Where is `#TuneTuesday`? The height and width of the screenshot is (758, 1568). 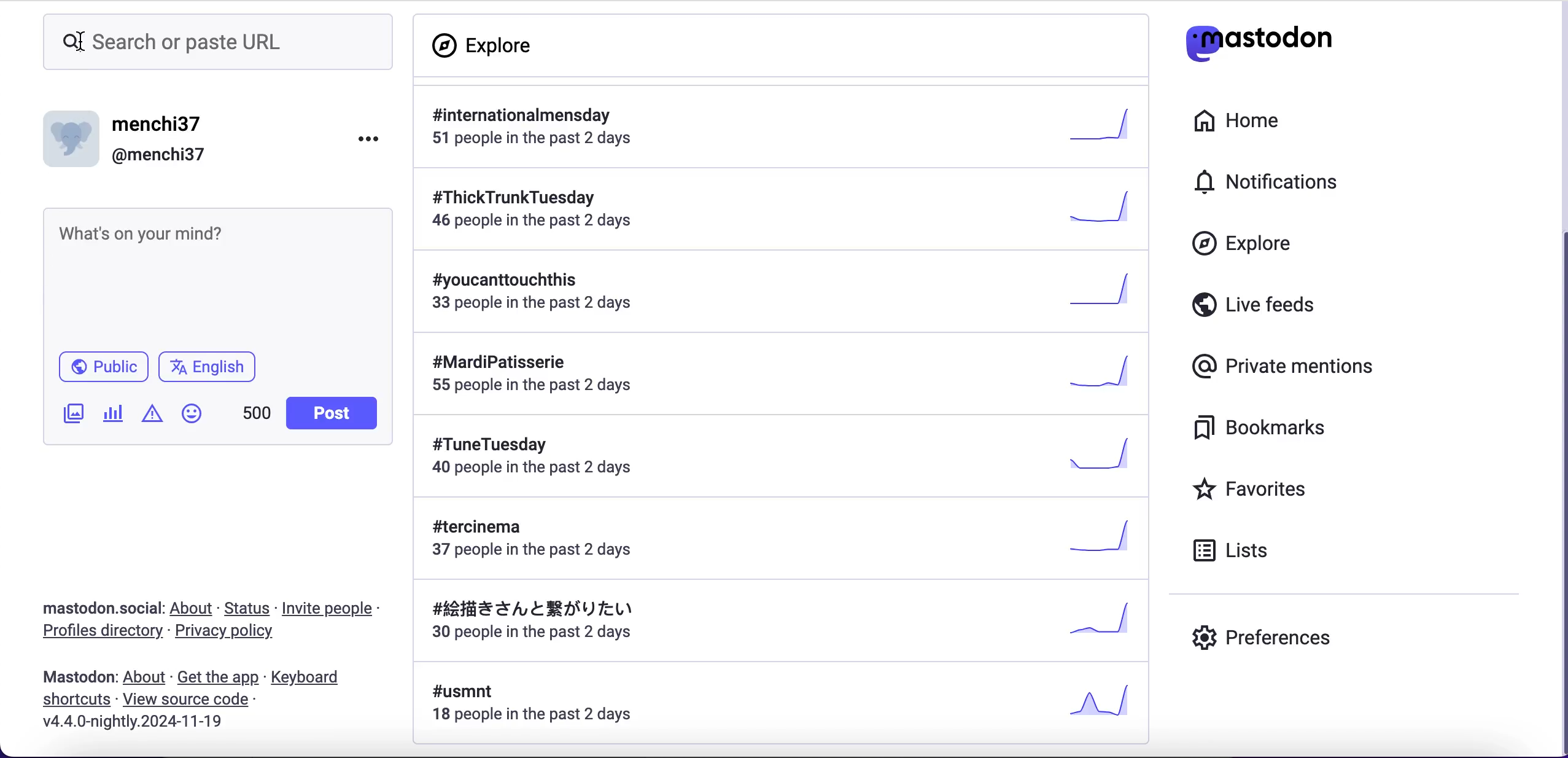 #TuneTuesday is located at coordinates (780, 457).